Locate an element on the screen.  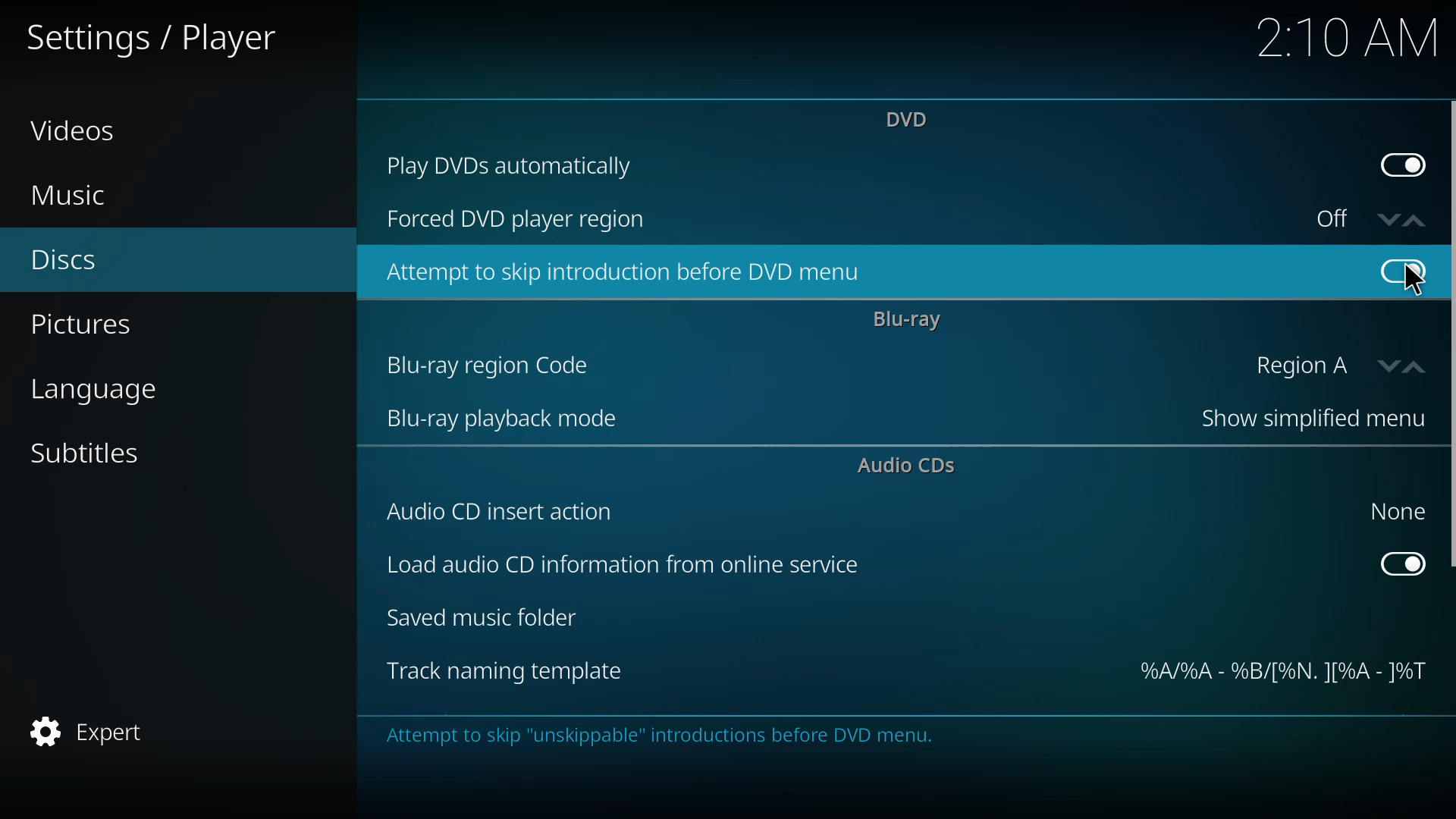
enabled is located at coordinates (1397, 564).